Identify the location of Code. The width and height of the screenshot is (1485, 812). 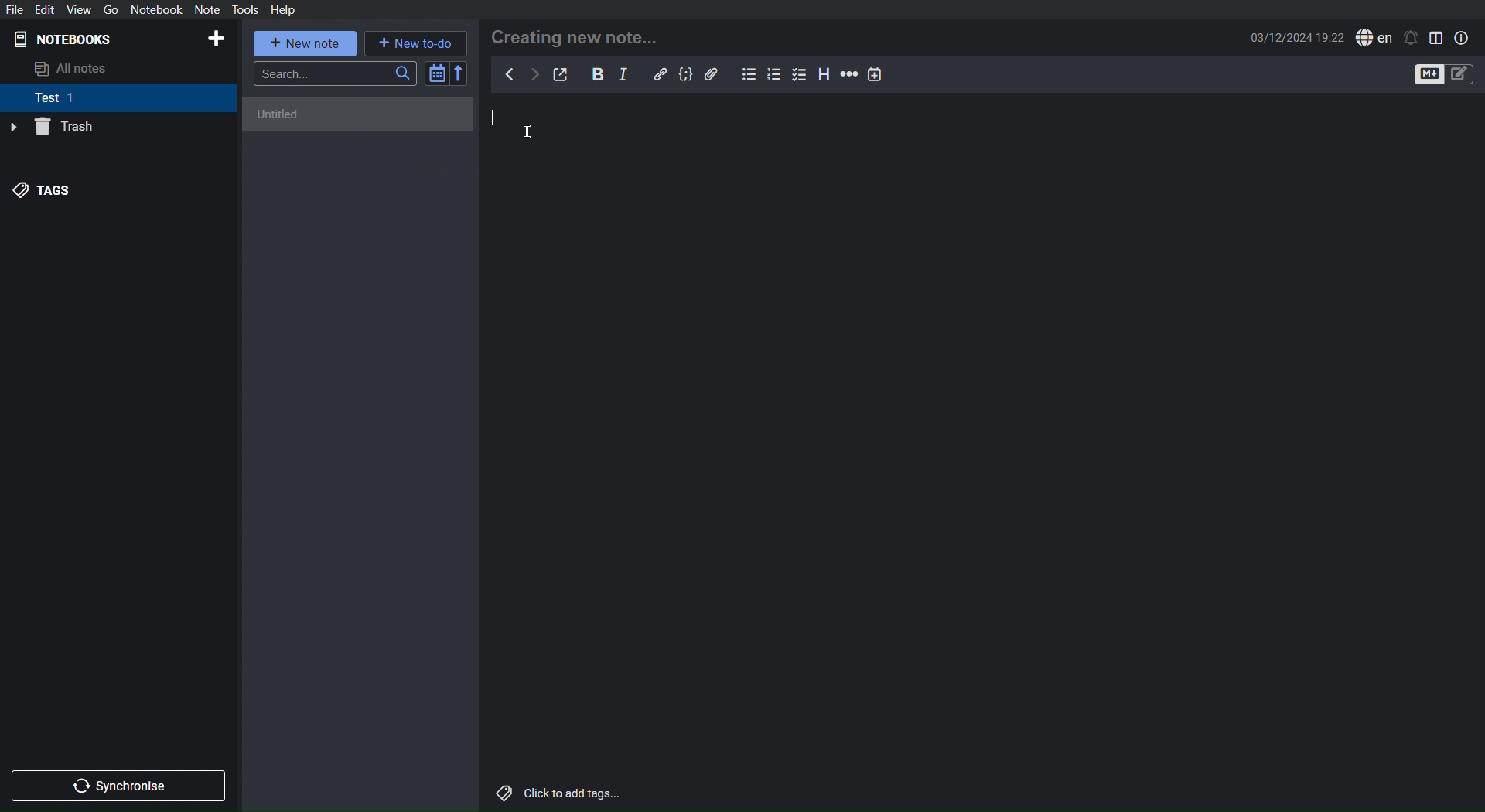
(686, 73).